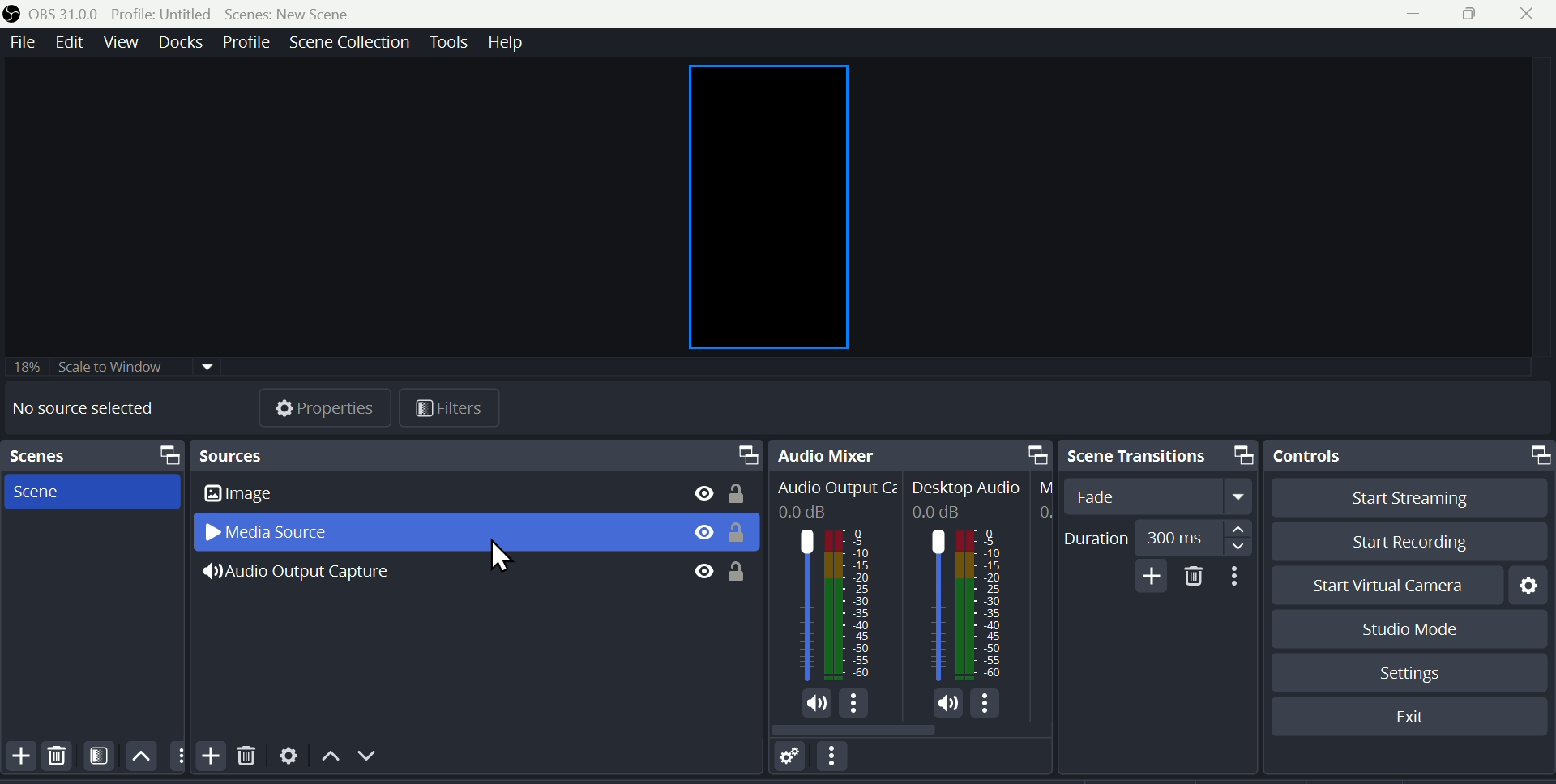 Image resolution: width=1556 pixels, height=784 pixels. Describe the element at coordinates (817, 703) in the screenshot. I see `Sound` at that location.